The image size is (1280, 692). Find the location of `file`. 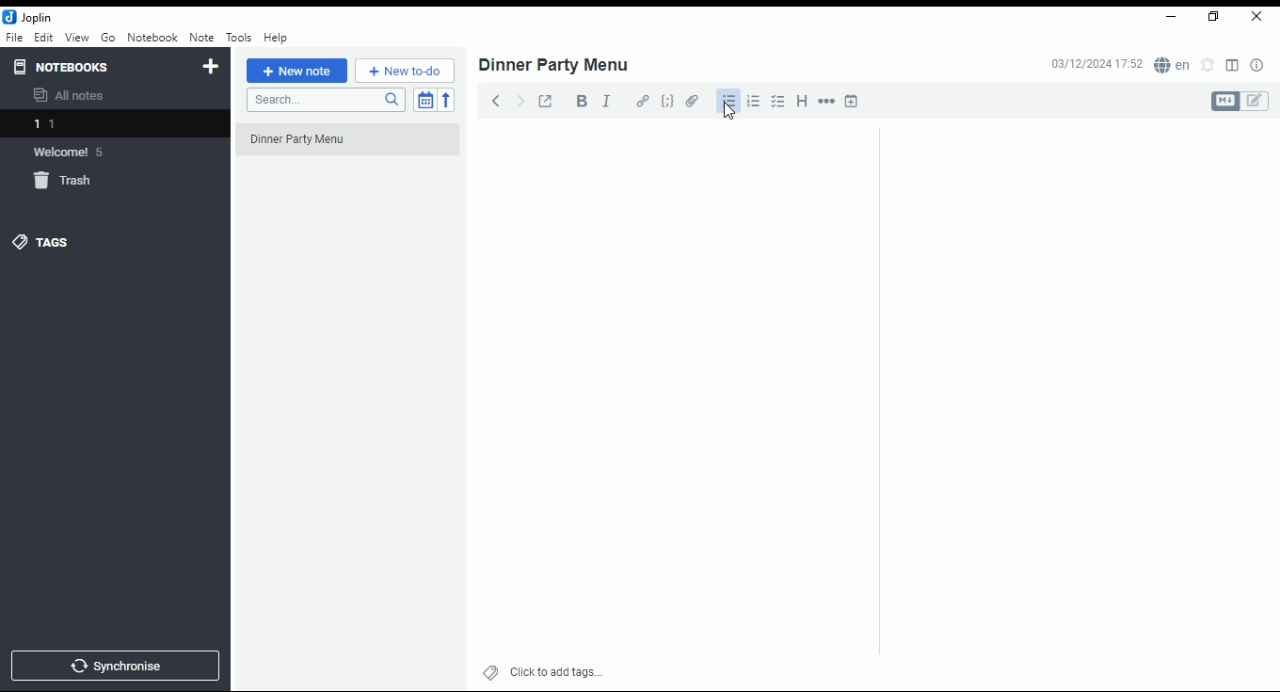

file is located at coordinates (14, 37).